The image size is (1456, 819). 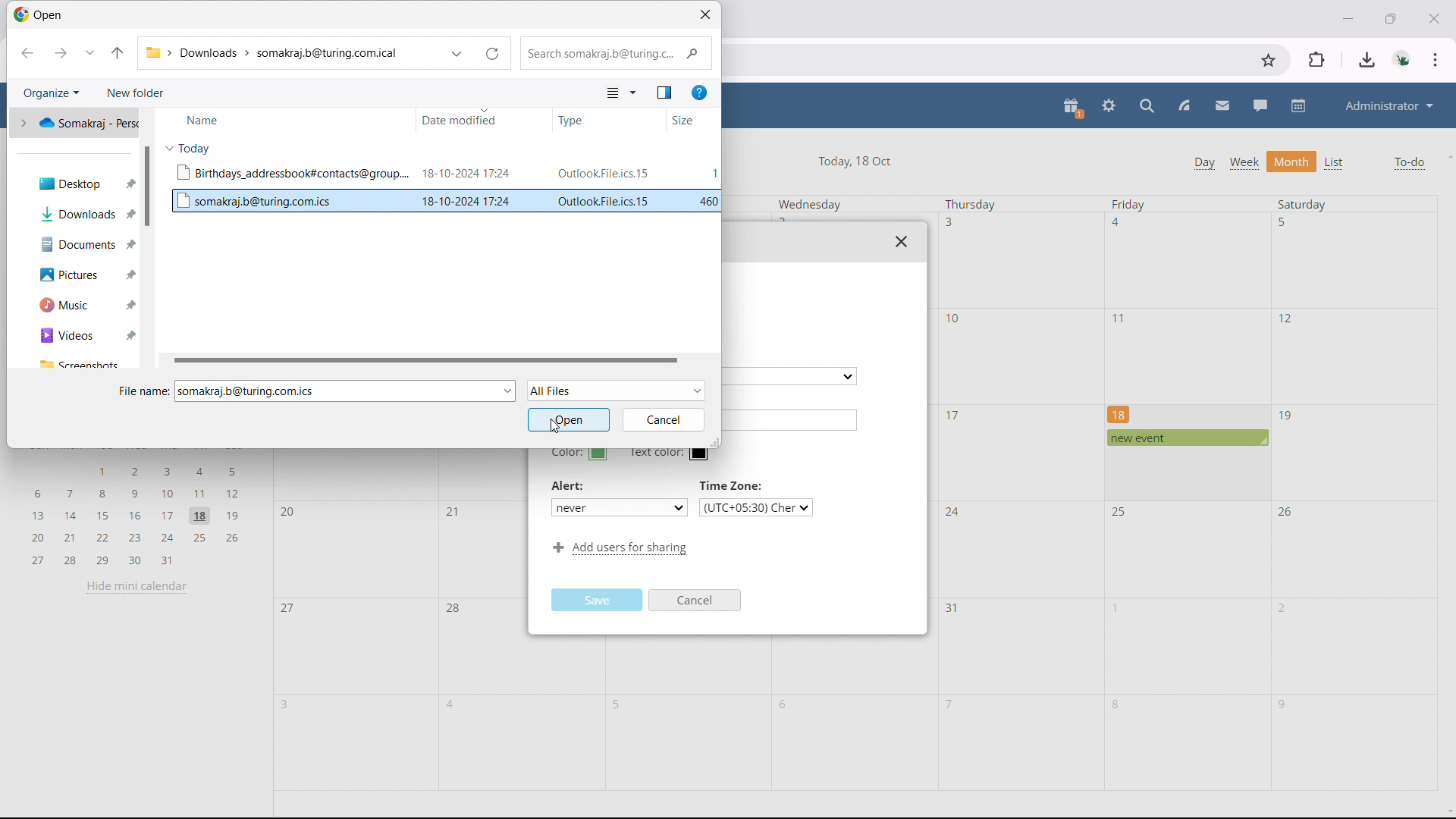 I want to click on 9, so click(x=1282, y=705).